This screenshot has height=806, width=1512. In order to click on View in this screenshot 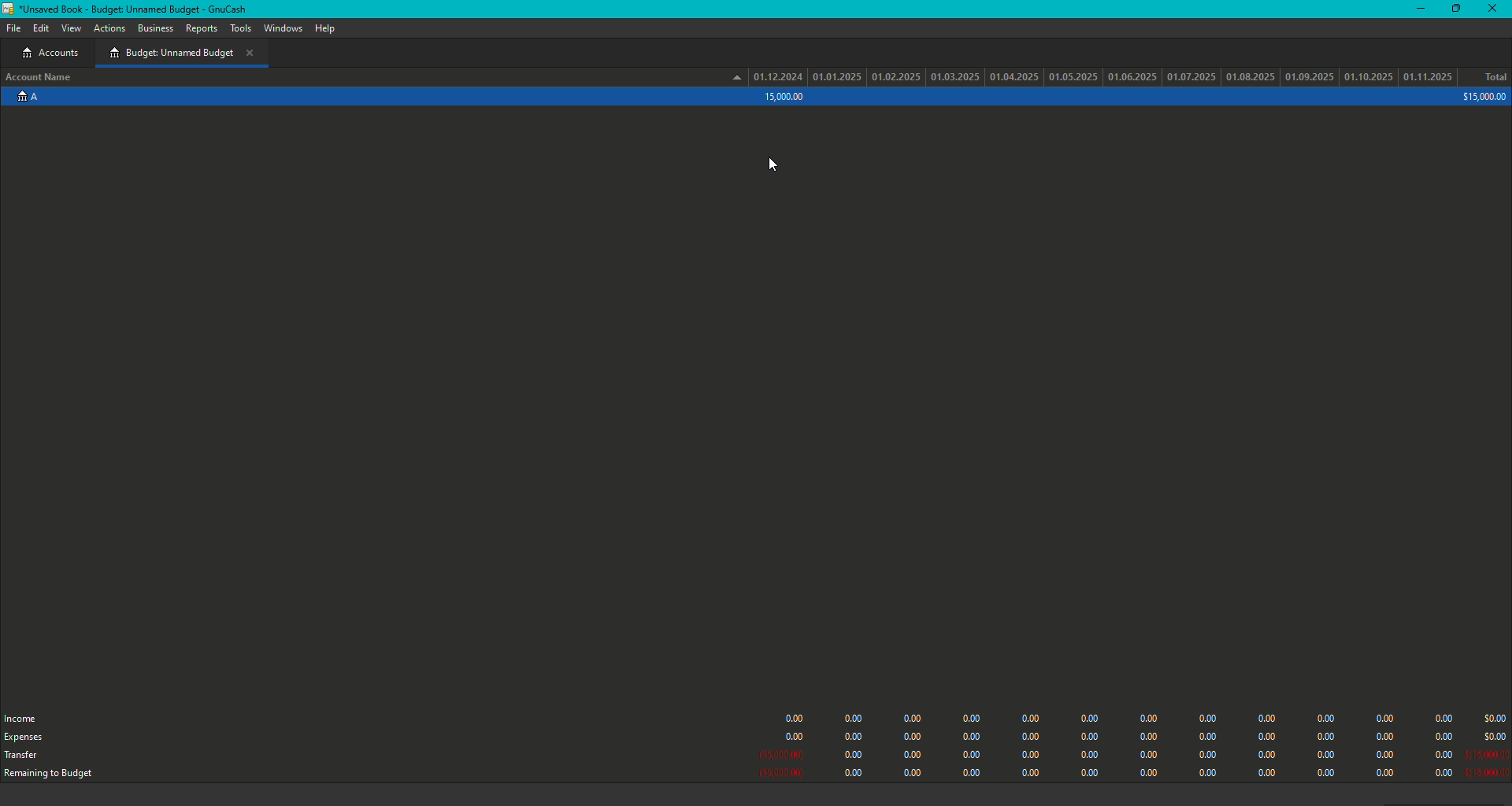, I will do `click(72, 29)`.